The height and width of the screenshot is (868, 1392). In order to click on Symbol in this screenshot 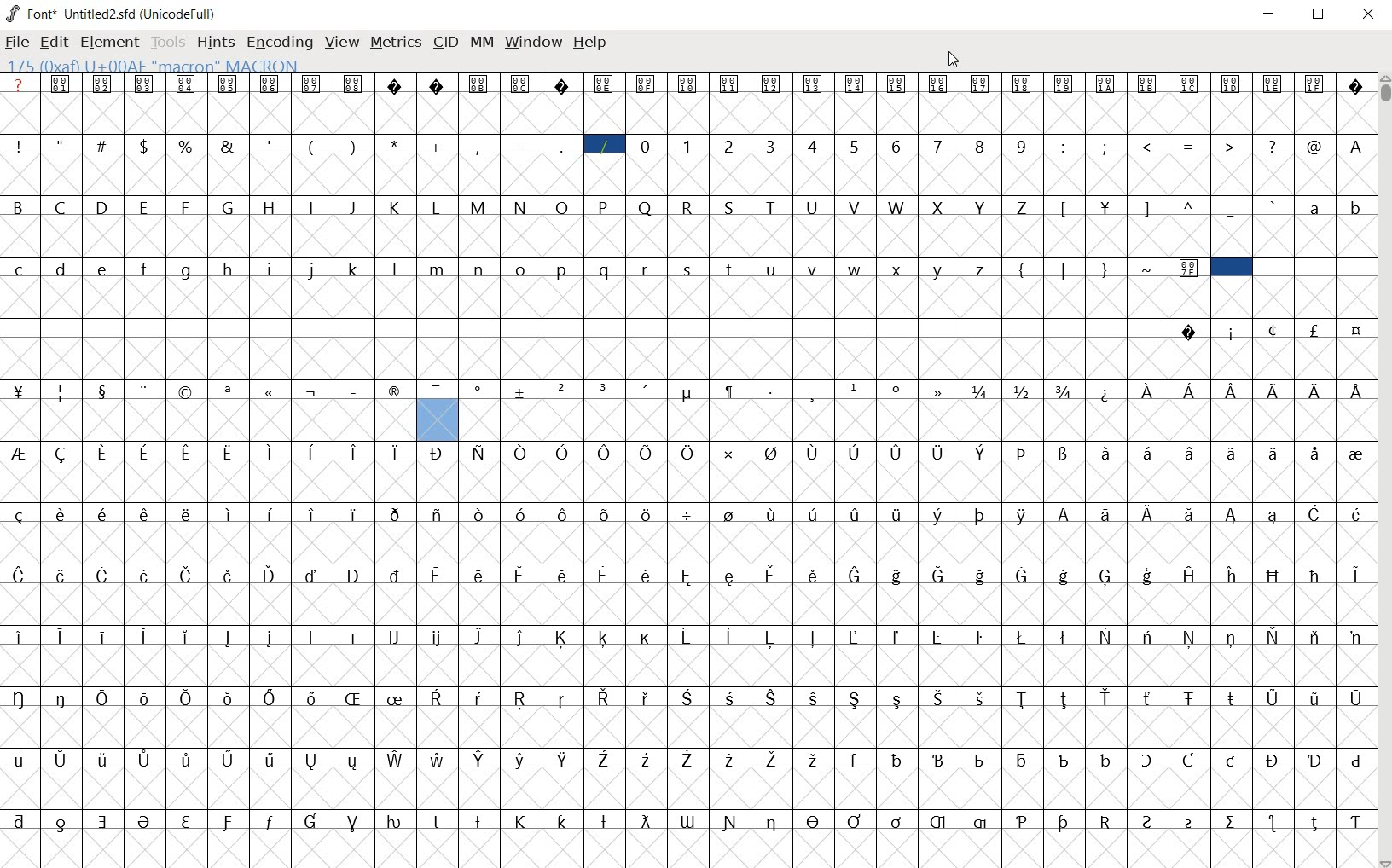, I will do `click(1314, 83)`.